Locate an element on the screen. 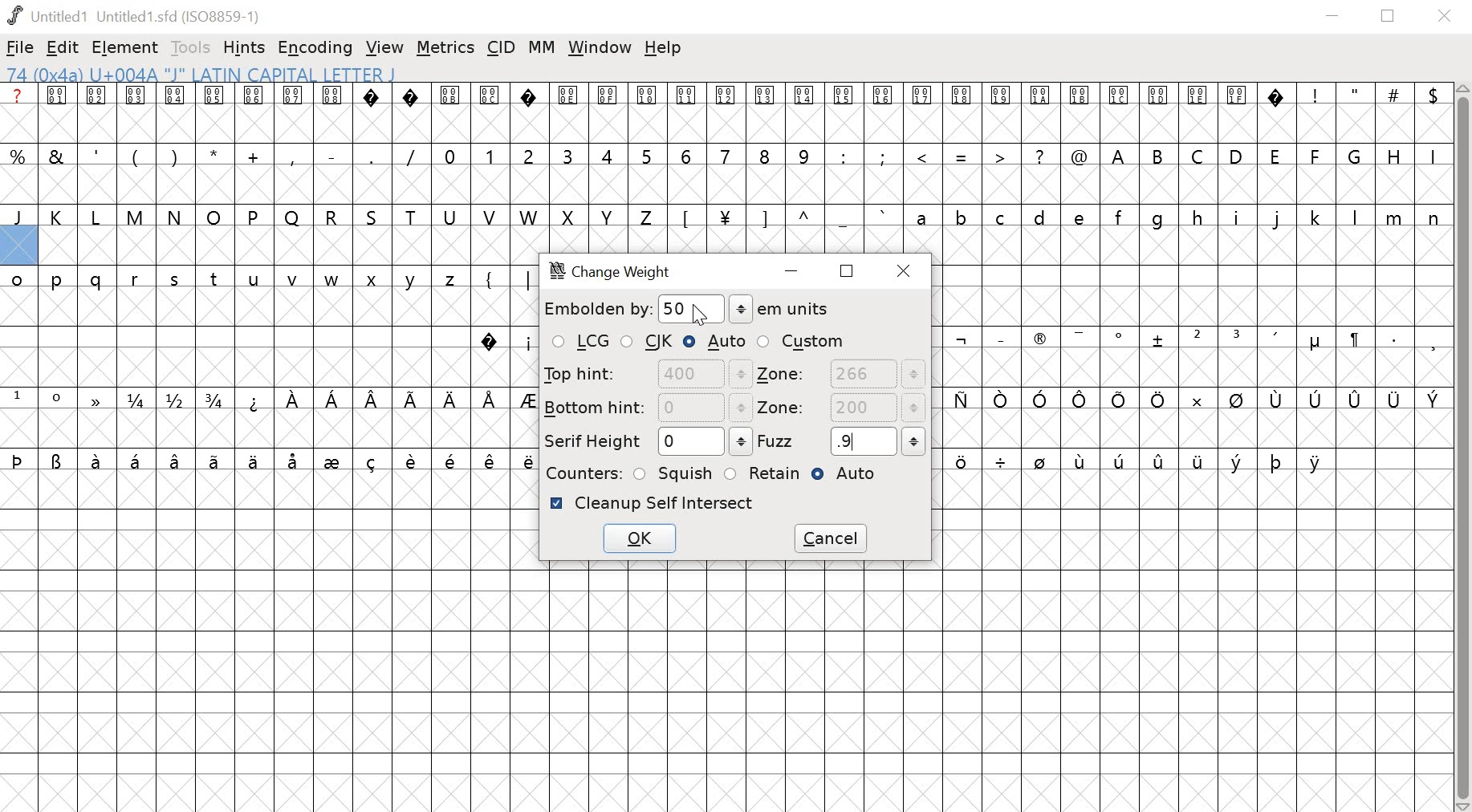  AUTO is located at coordinates (716, 341).